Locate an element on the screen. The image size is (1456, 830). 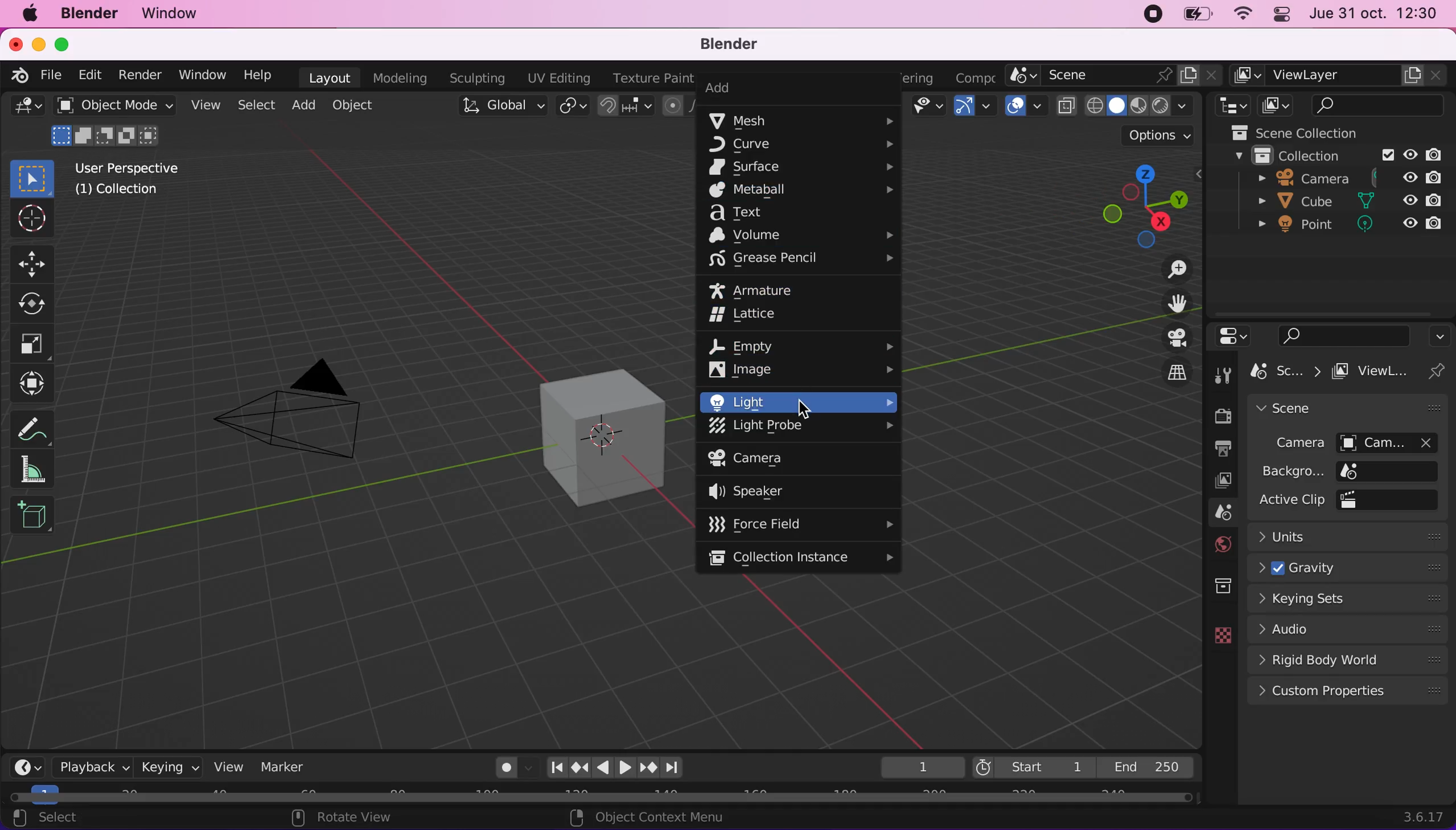
active clip is located at coordinates (1290, 500).